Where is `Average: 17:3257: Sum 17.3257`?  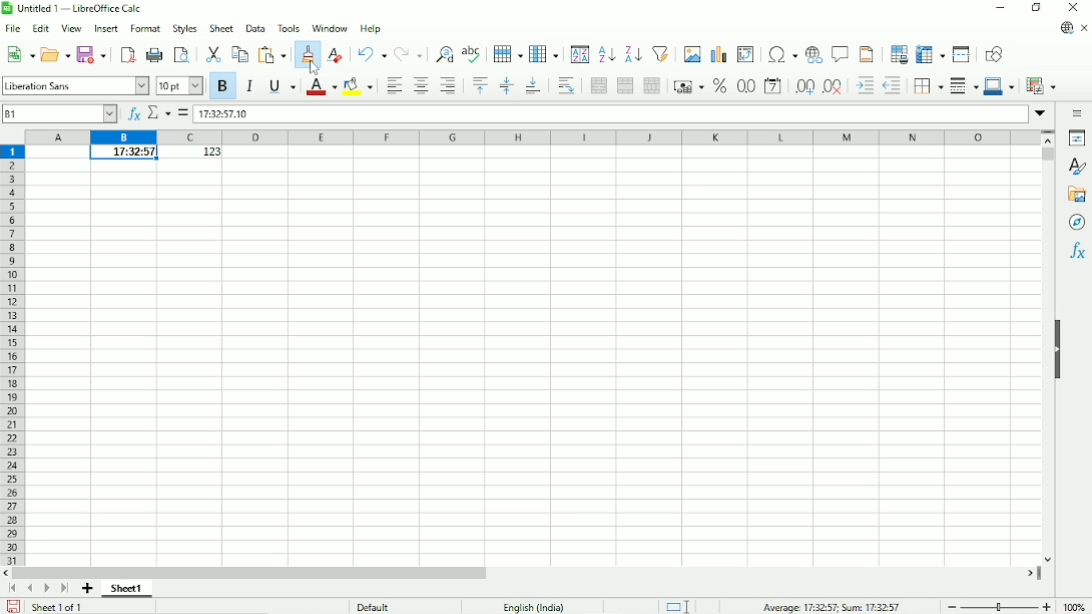 Average: 17:3257: Sum 17.3257 is located at coordinates (832, 606).